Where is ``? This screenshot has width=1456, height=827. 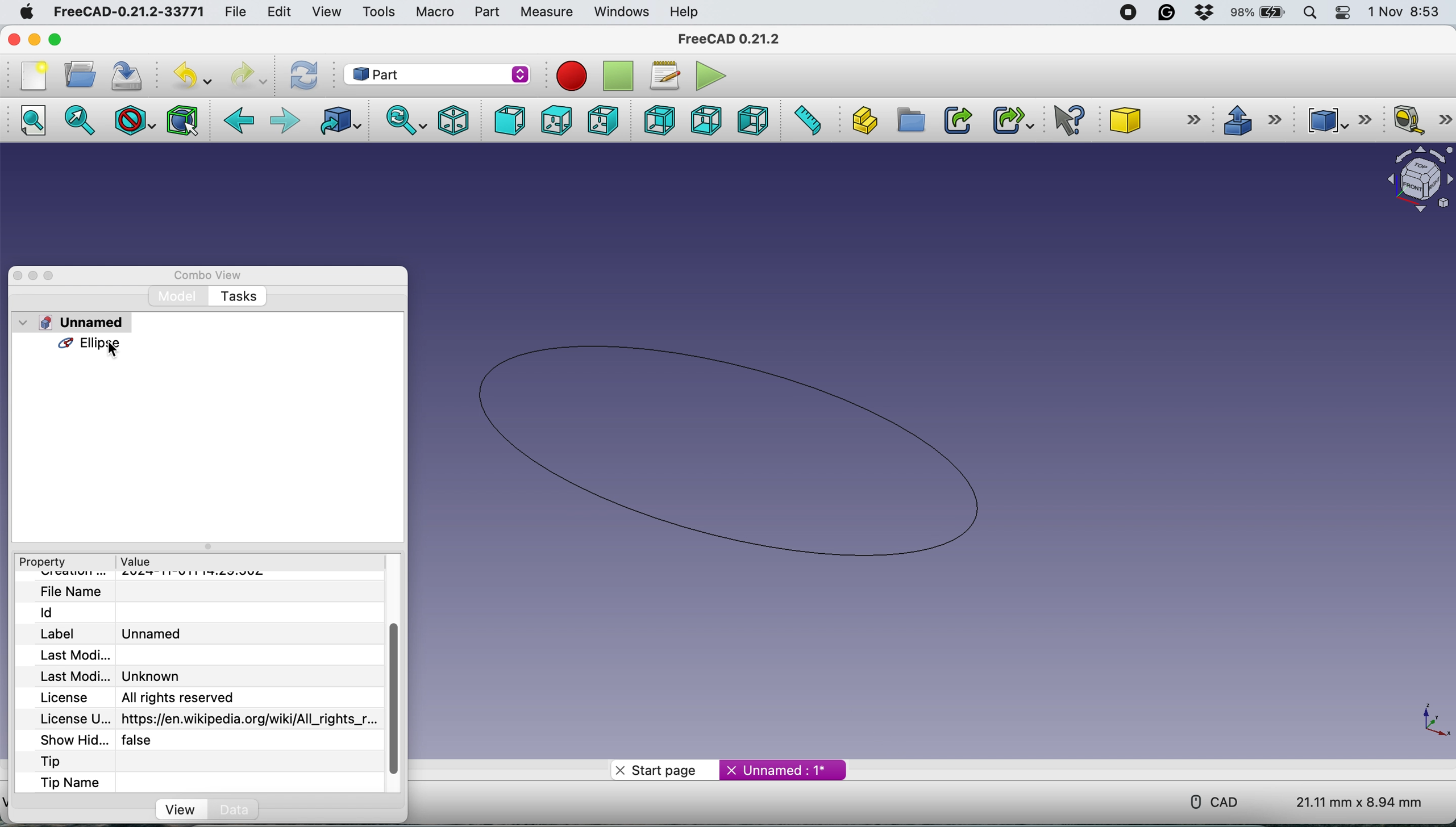  is located at coordinates (23, 91).